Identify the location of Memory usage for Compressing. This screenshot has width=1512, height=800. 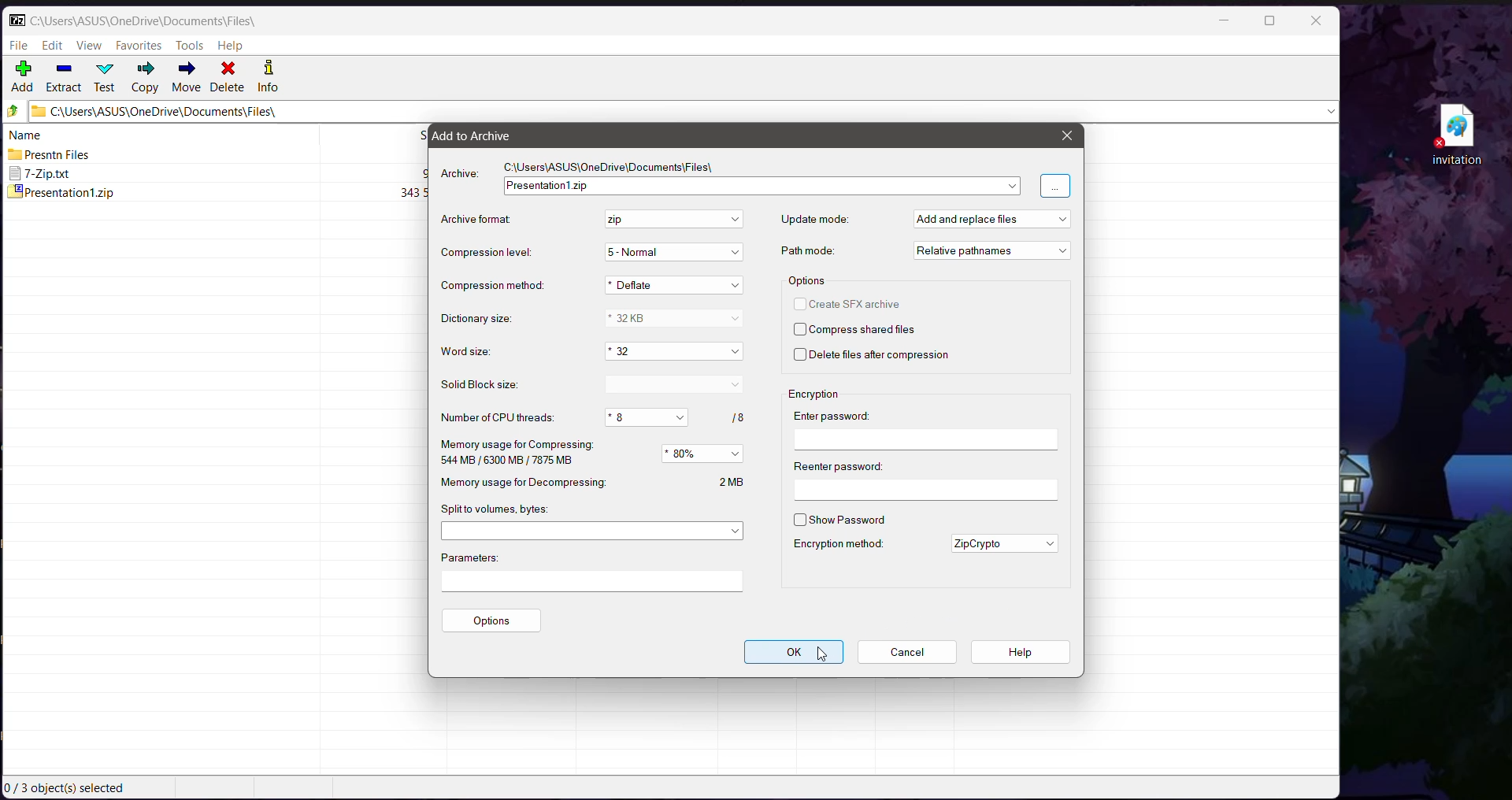
(516, 453).